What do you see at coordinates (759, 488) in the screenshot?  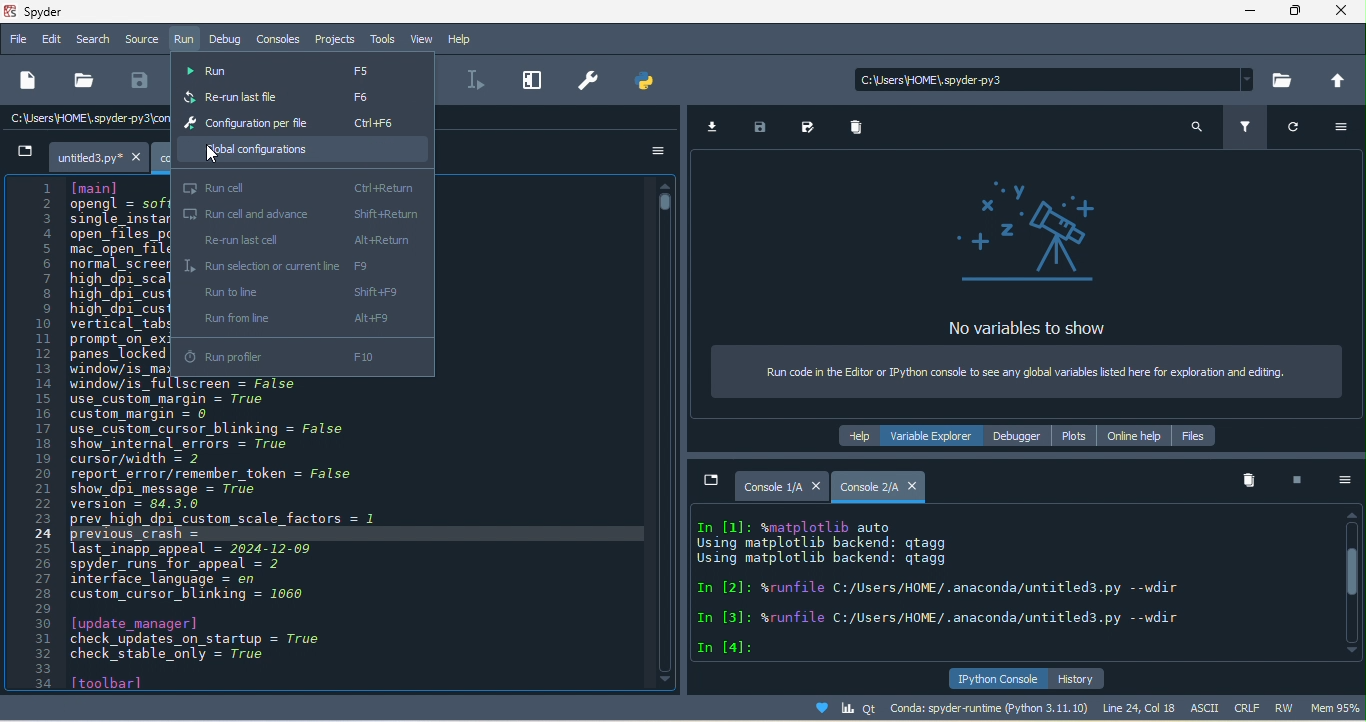 I see `console1/a` at bounding box center [759, 488].